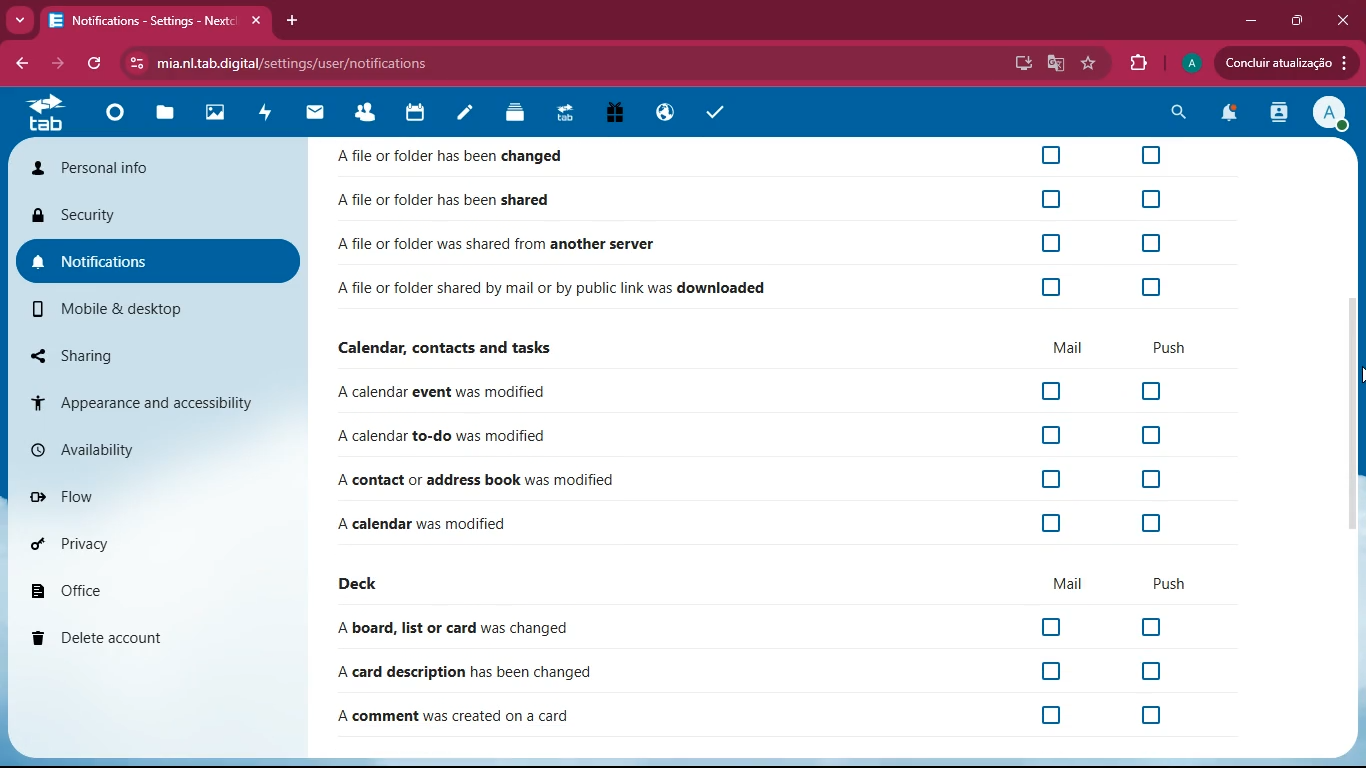  What do you see at coordinates (1149, 198) in the screenshot?
I see `off` at bounding box center [1149, 198].